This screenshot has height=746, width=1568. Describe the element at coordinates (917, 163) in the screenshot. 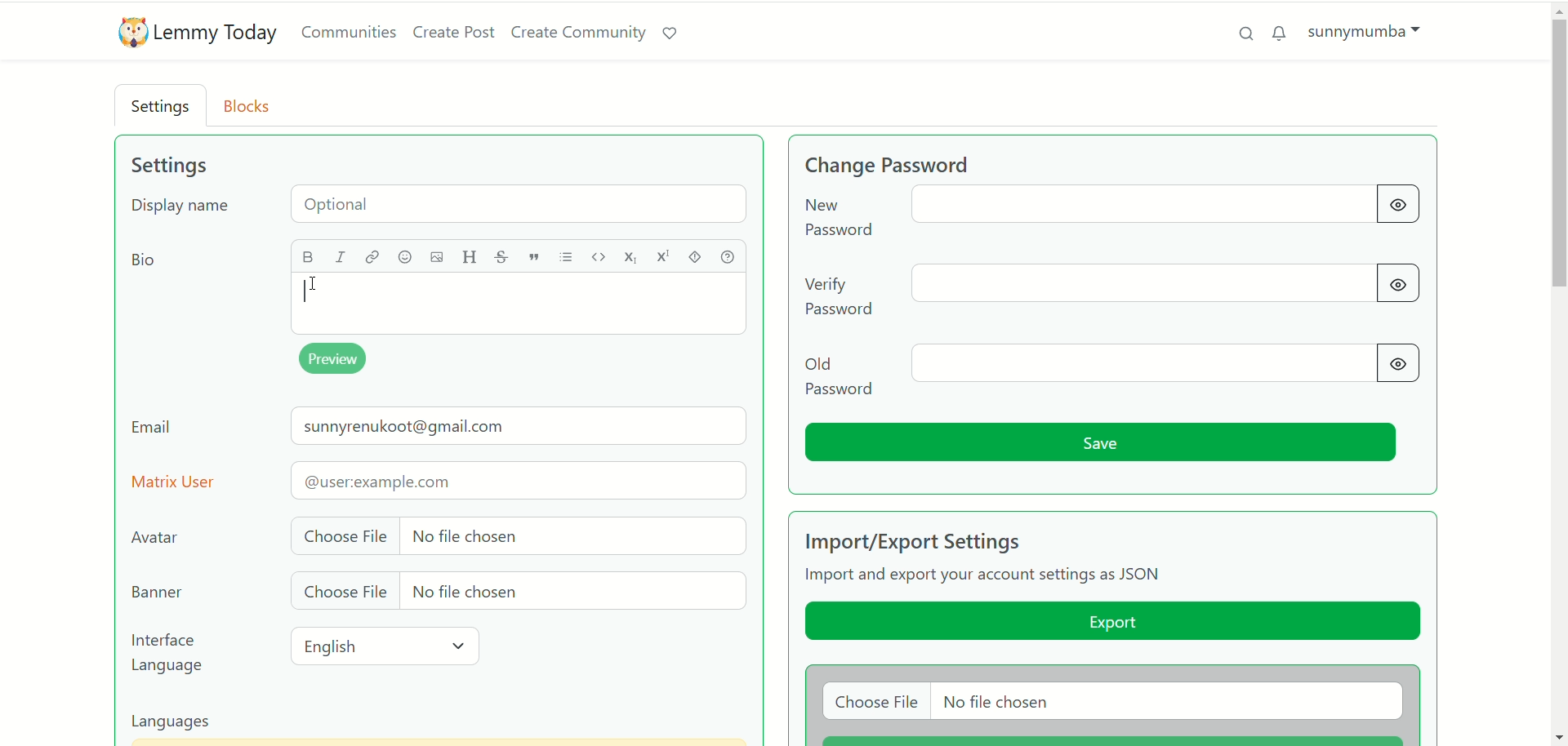

I see `change password` at that location.